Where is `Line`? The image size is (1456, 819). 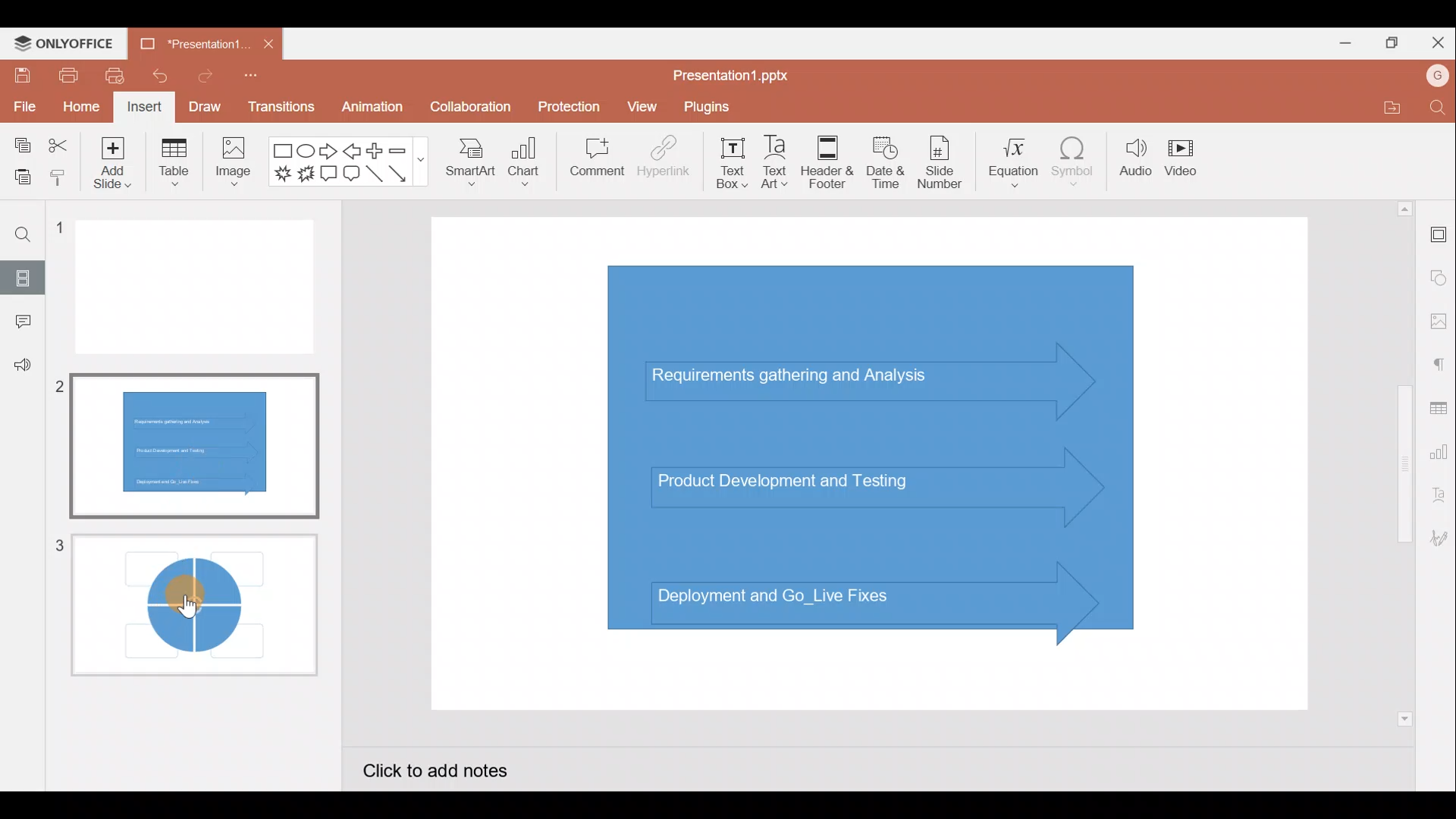
Line is located at coordinates (374, 174).